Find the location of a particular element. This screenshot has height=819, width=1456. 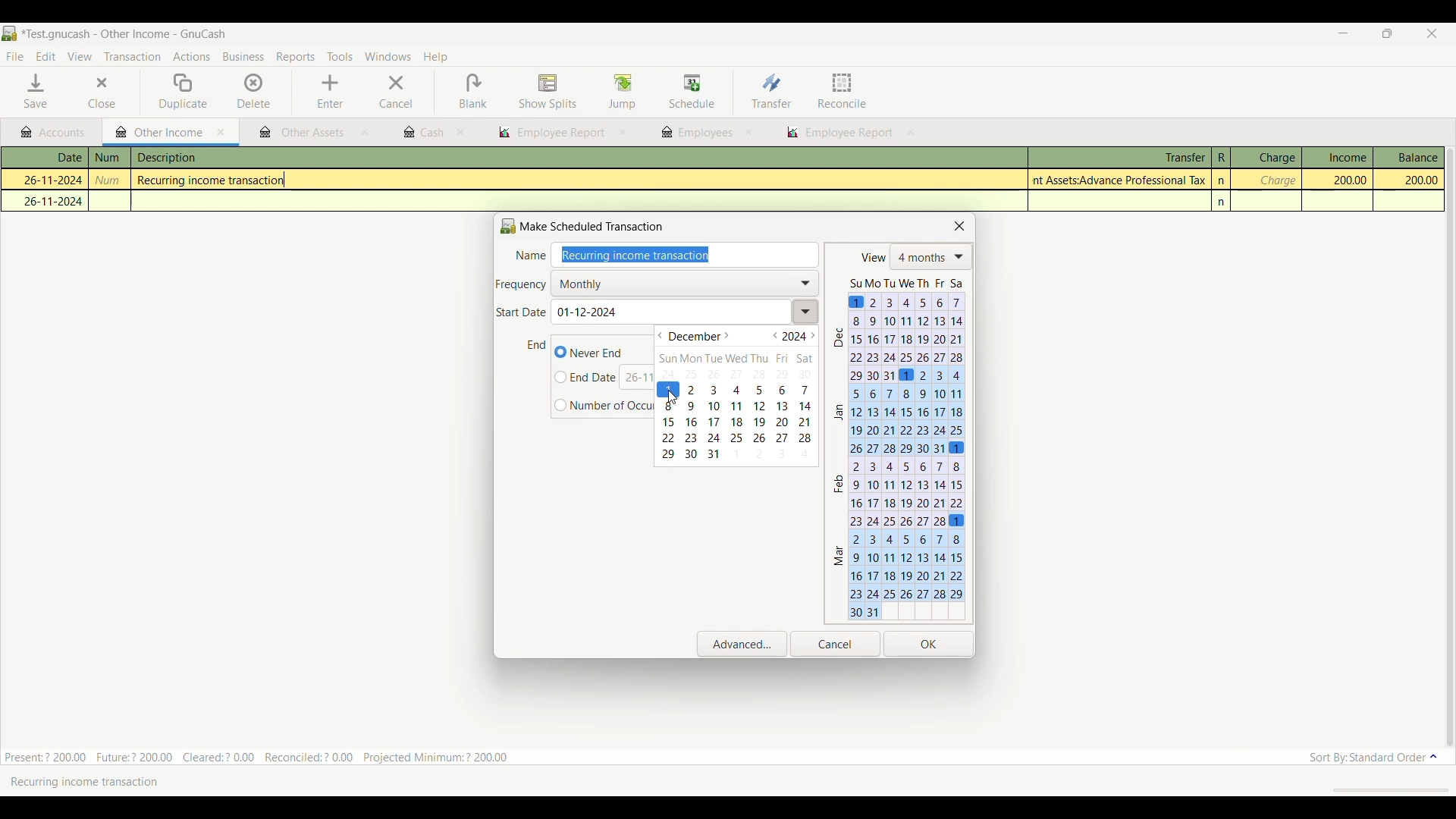

Actions menu is located at coordinates (191, 58).